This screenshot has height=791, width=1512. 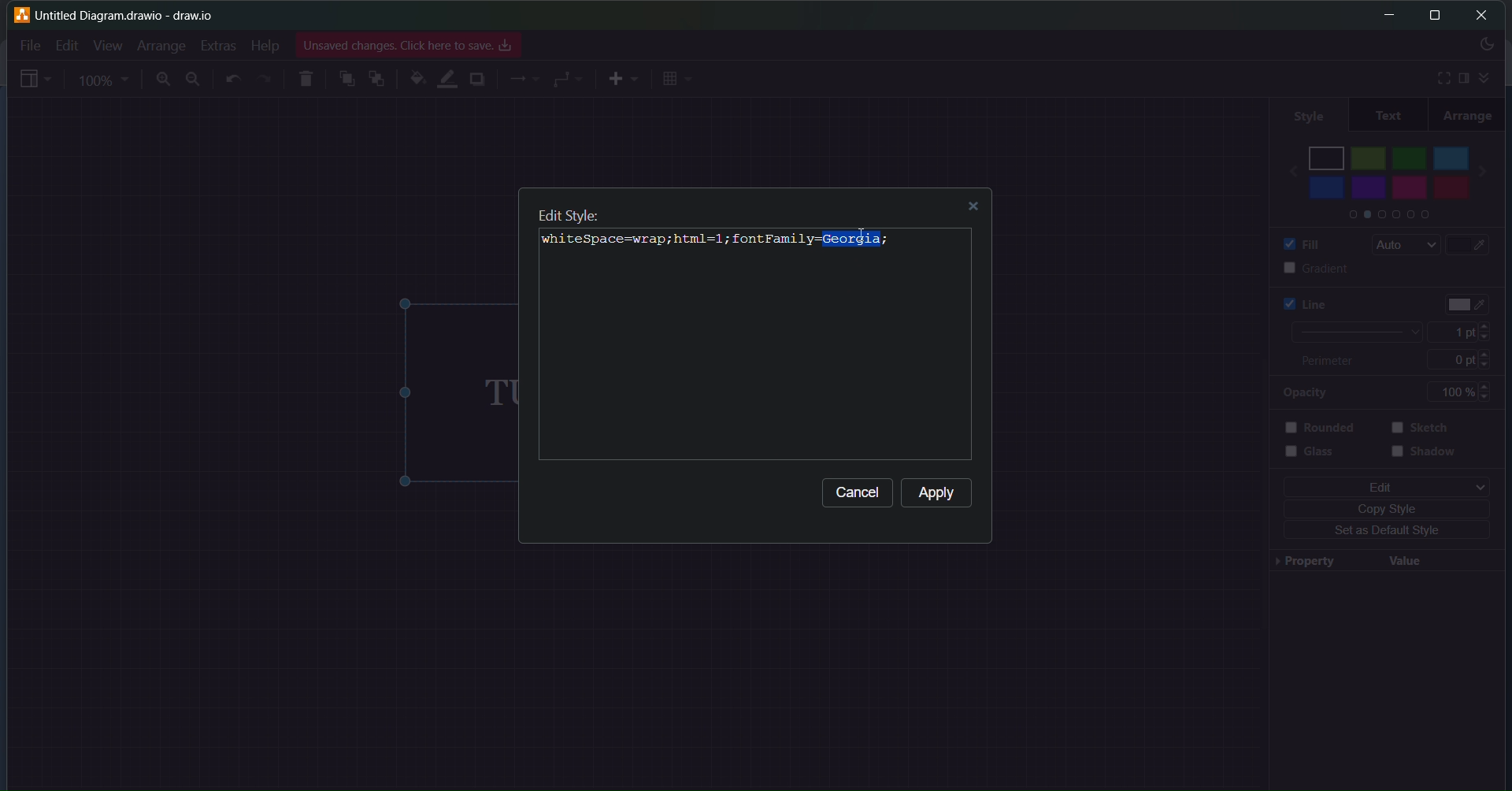 I want to click on to front, so click(x=346, y=78).